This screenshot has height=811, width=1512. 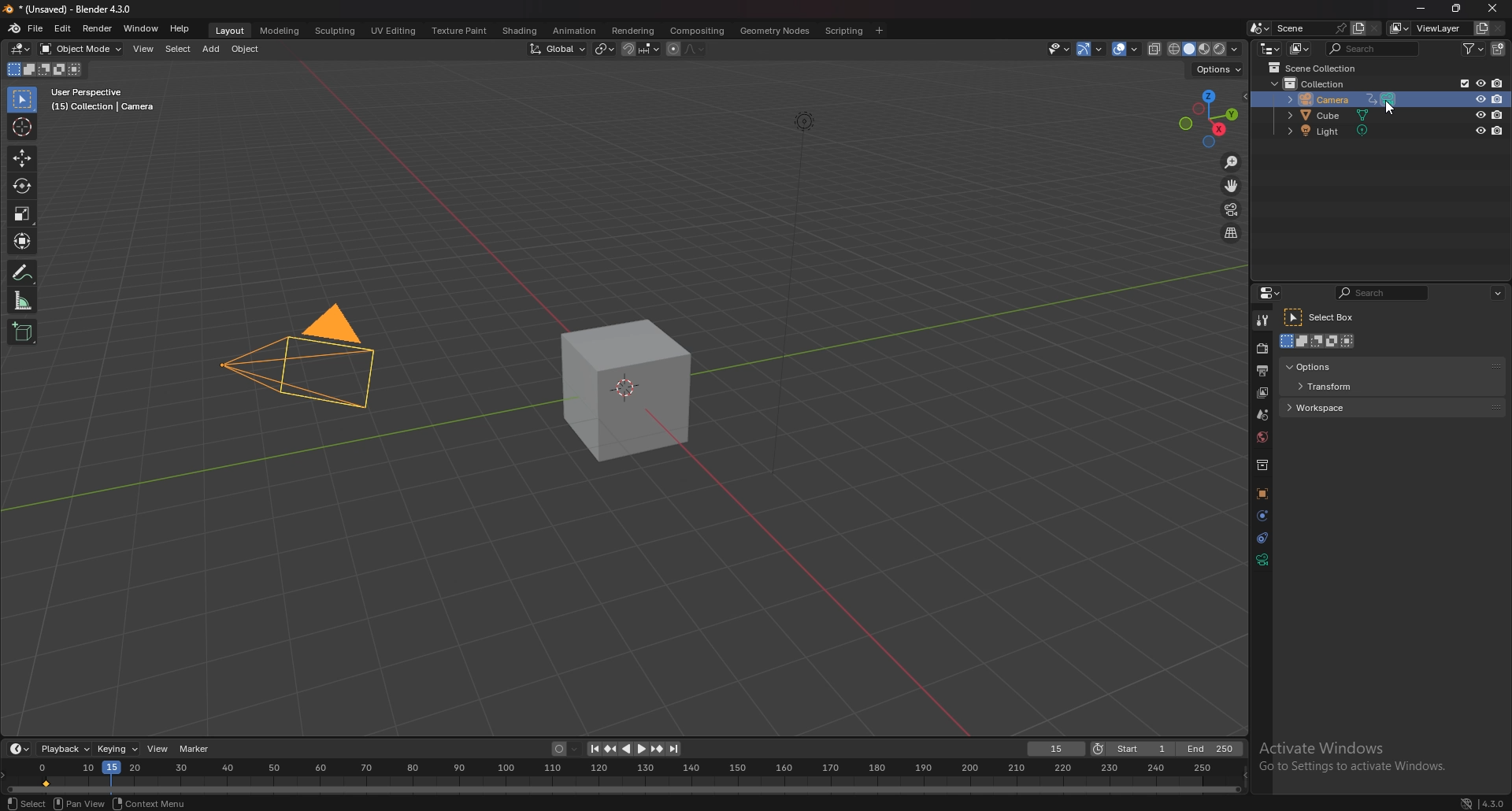 What do you see at coordinates (1263, 370) in the screenshot?
I see `output` at bounding box center [1263, 370].